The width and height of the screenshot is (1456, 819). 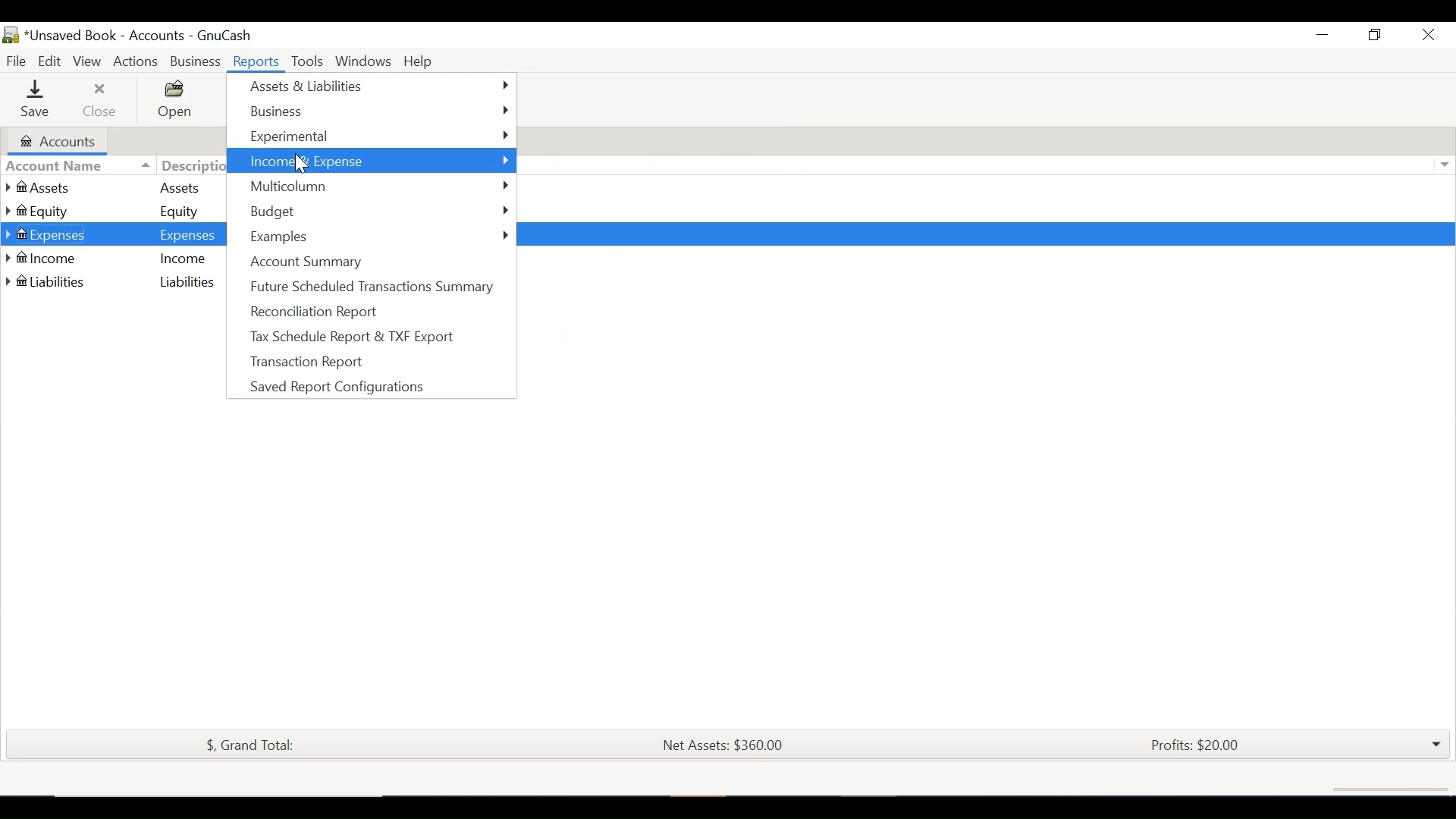 What do you see at coordinates (372, 135) in the screenshot?
I see `Experimental` at bounding box center [372, 135].